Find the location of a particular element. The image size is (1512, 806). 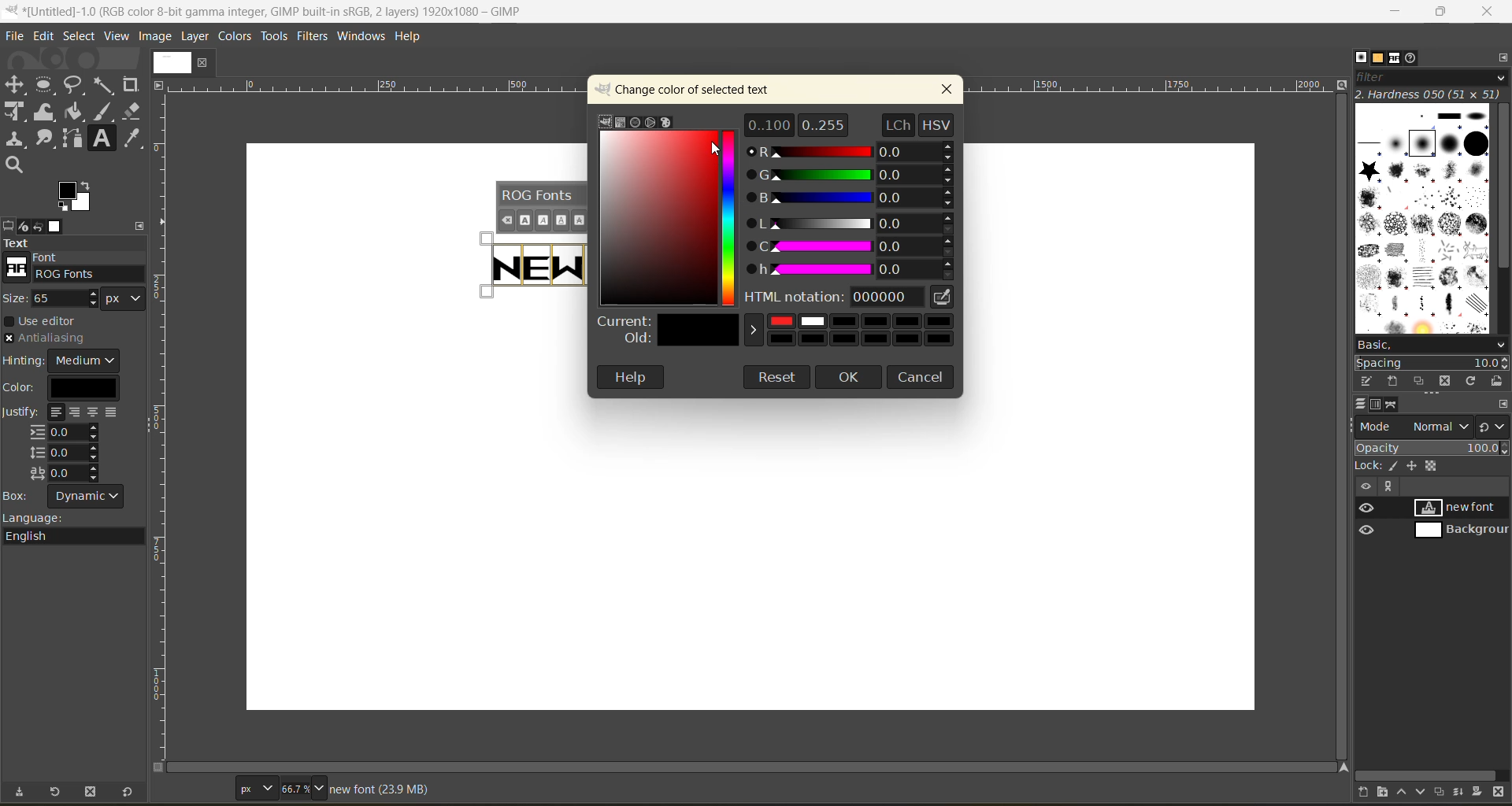

layers is located at coordinates (1362, 401).